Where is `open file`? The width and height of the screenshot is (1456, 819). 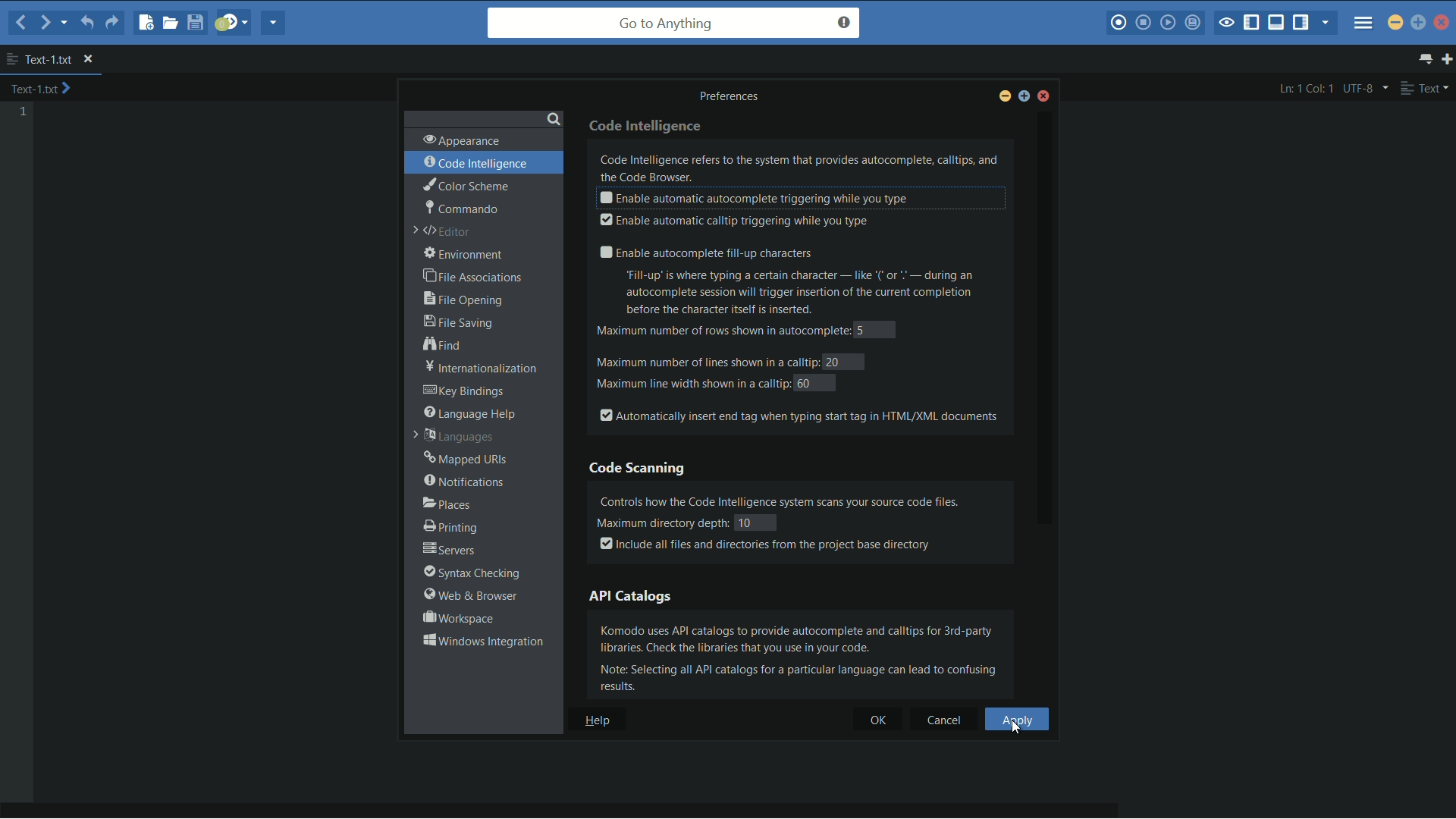
open file is located at coordinates (172, 22).